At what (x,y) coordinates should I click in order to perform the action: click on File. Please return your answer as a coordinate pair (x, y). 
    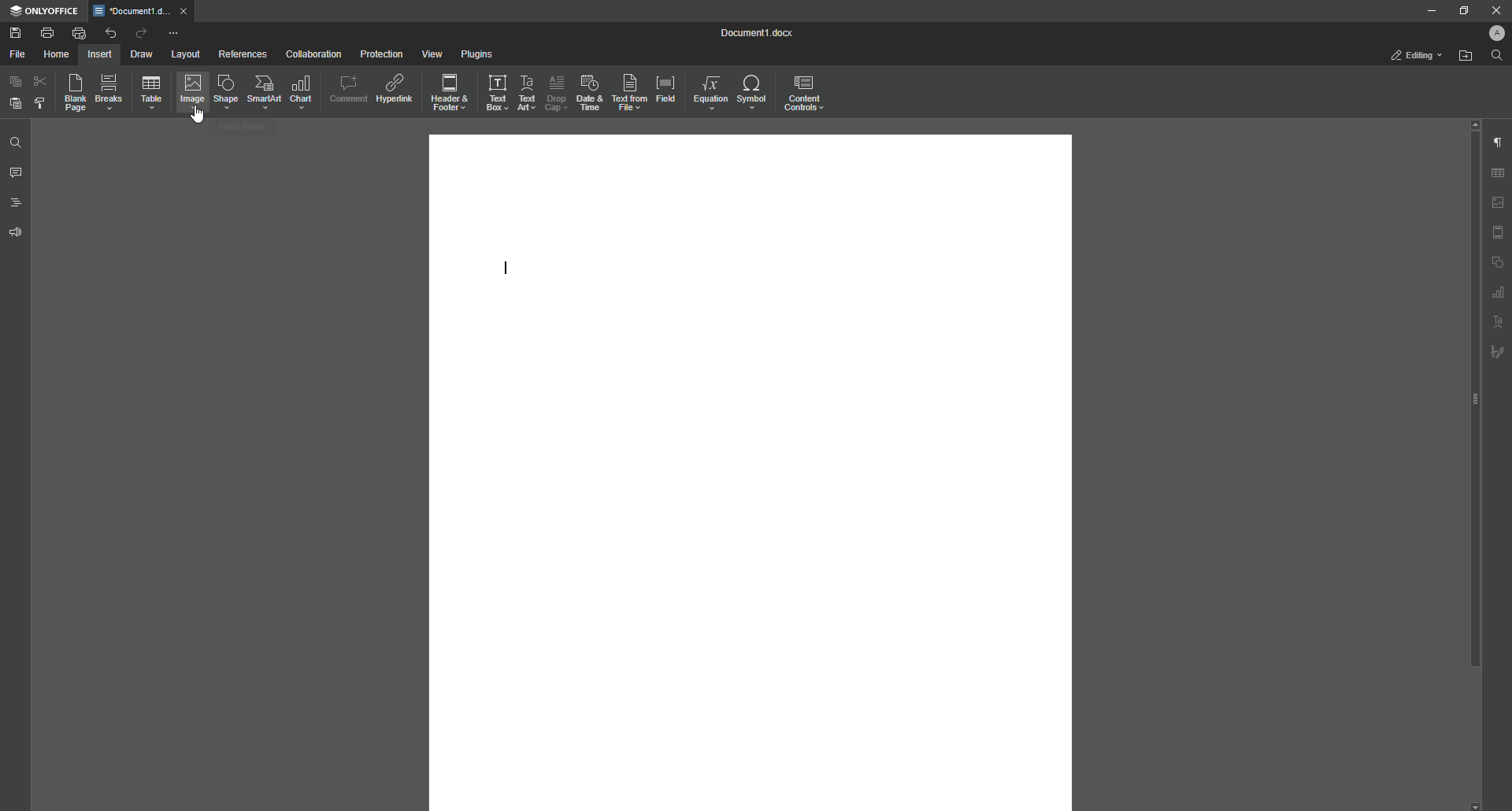
    Looking at the image, I should click on (17, 55).